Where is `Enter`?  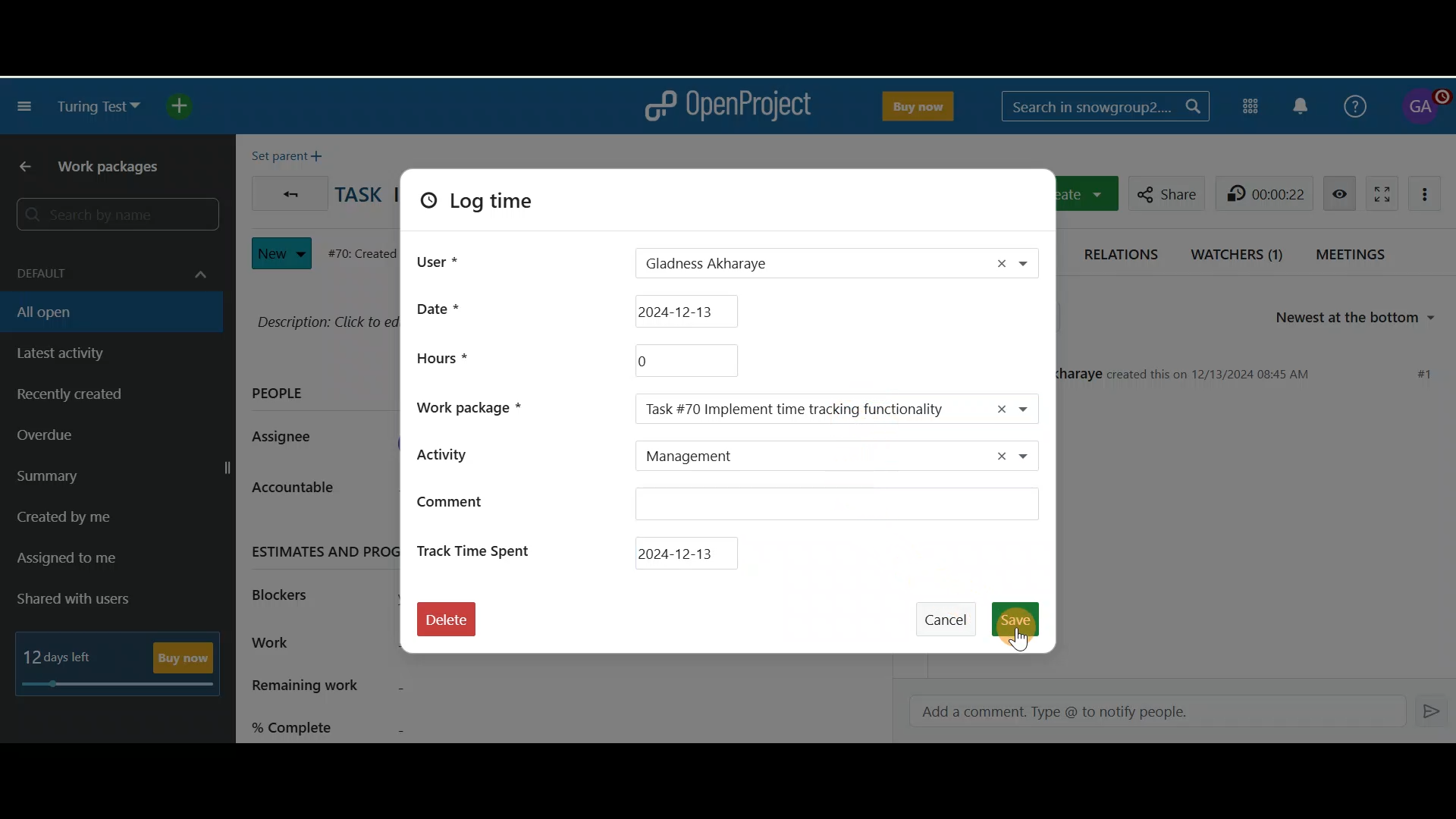 Enter is located at coordinates (1433, 710).